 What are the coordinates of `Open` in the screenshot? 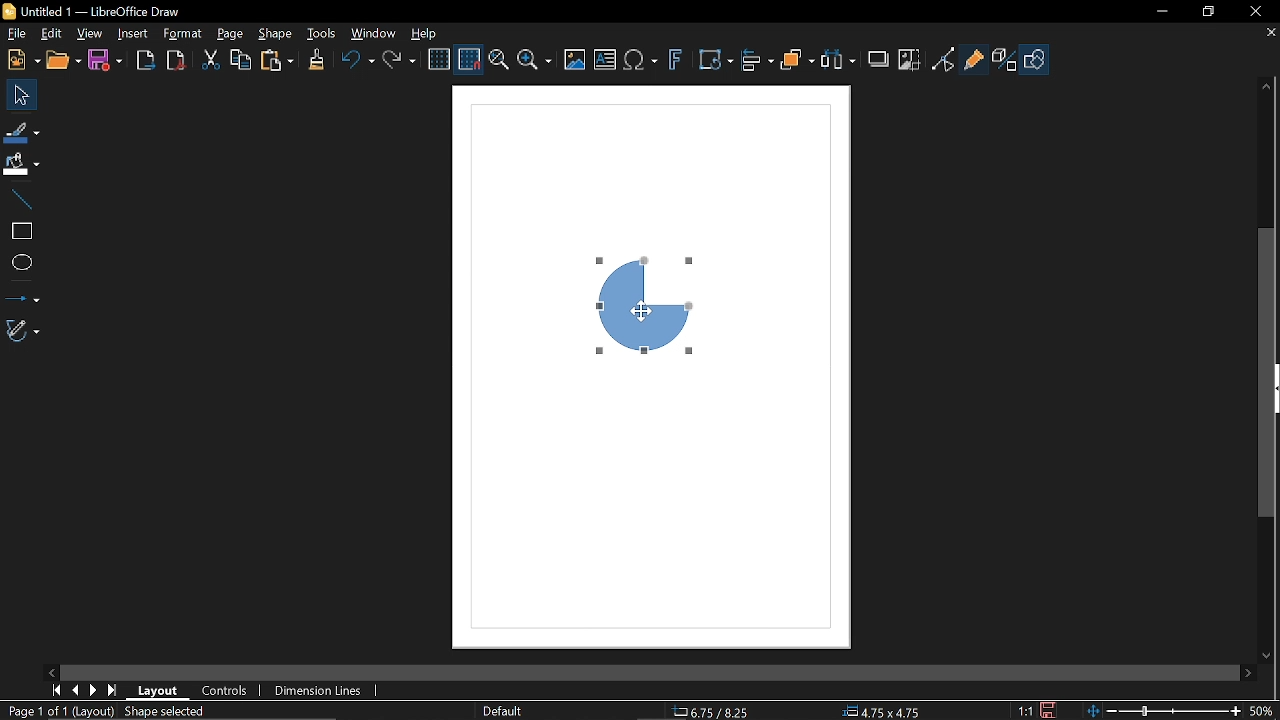 It's located at (64, 61).